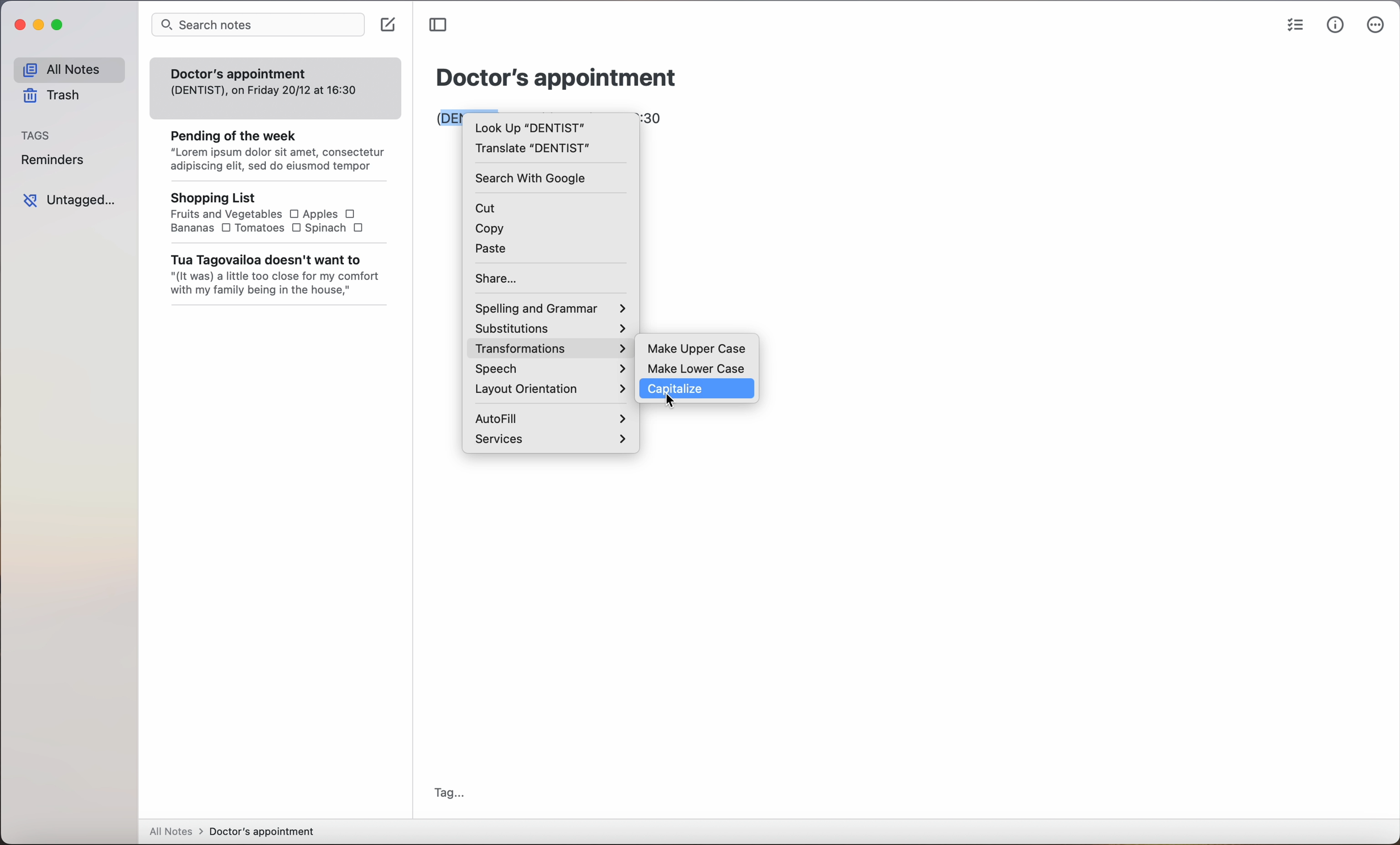  What do you see at coordinates (528, 127) in the screenshot?
I see `look up dentist` at bounding box center [528, 127].